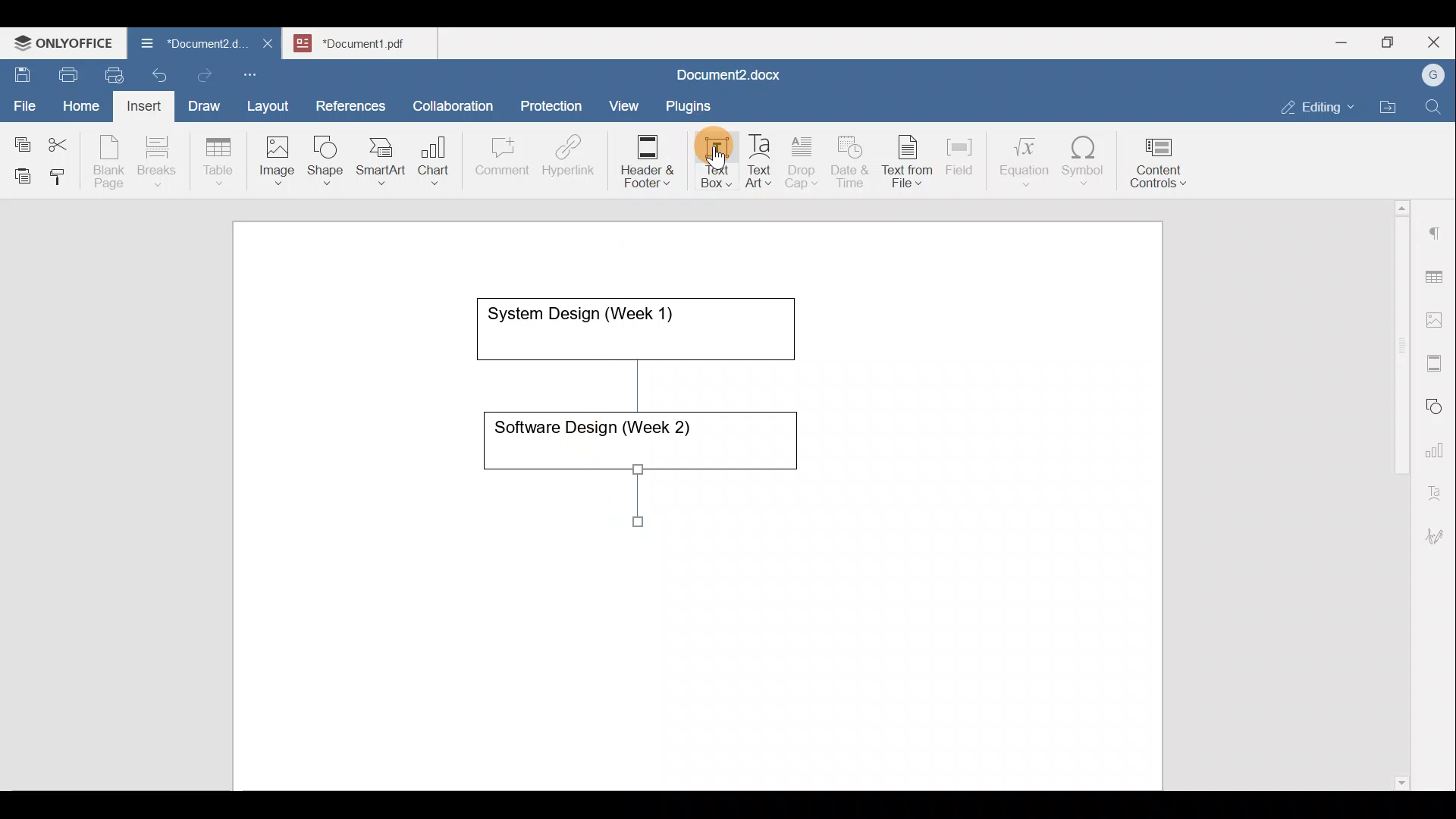  Describe the element at coordinates (1028, 161) in the screenshot. I see `Equation` at that location.